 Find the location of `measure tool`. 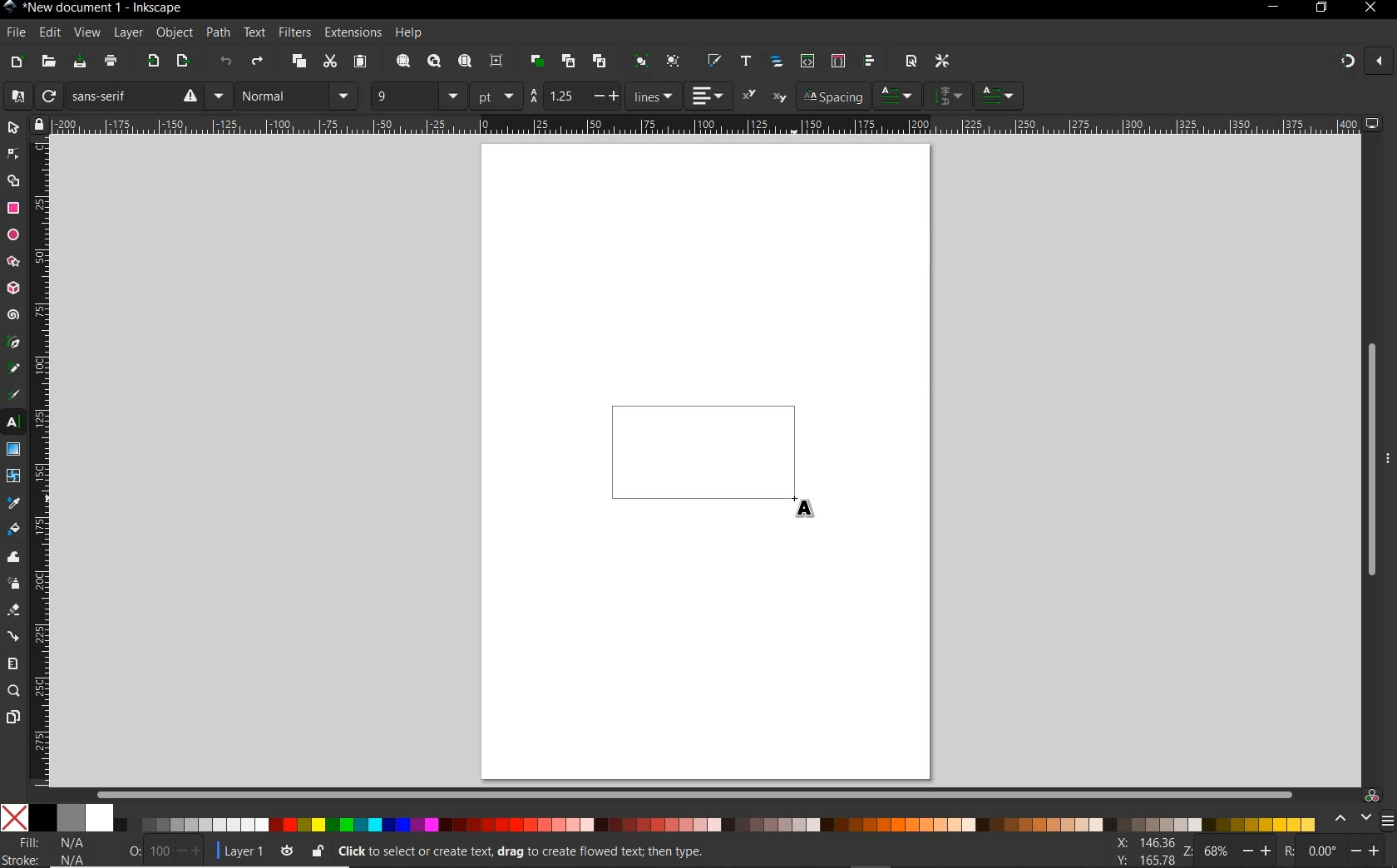

measure tool is located at coordinates (13, 663).